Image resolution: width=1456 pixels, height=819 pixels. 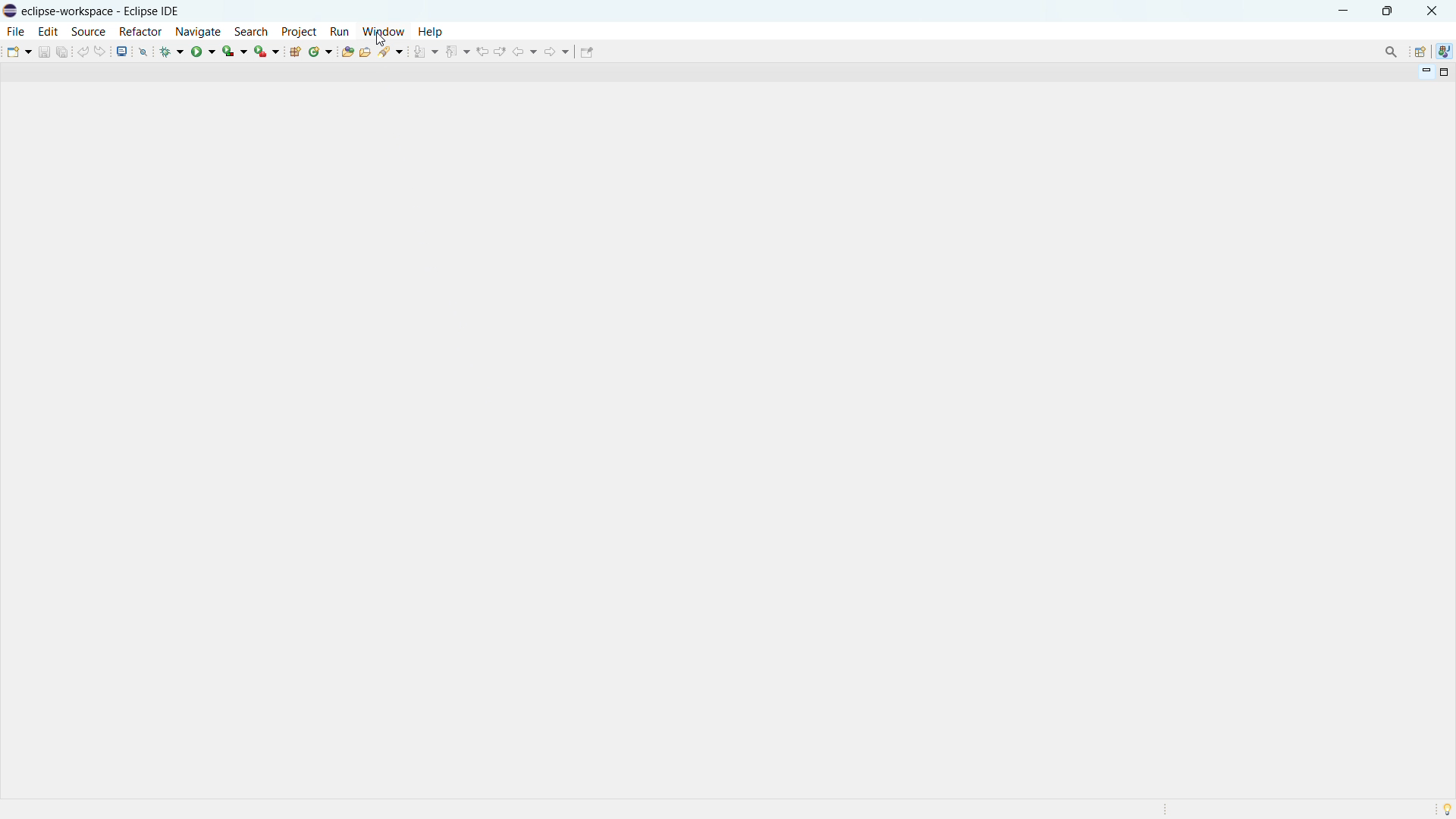 What do you see at coordinates (383, 31) in the screenshot?
I see `window` at bounding box center [383, 31].